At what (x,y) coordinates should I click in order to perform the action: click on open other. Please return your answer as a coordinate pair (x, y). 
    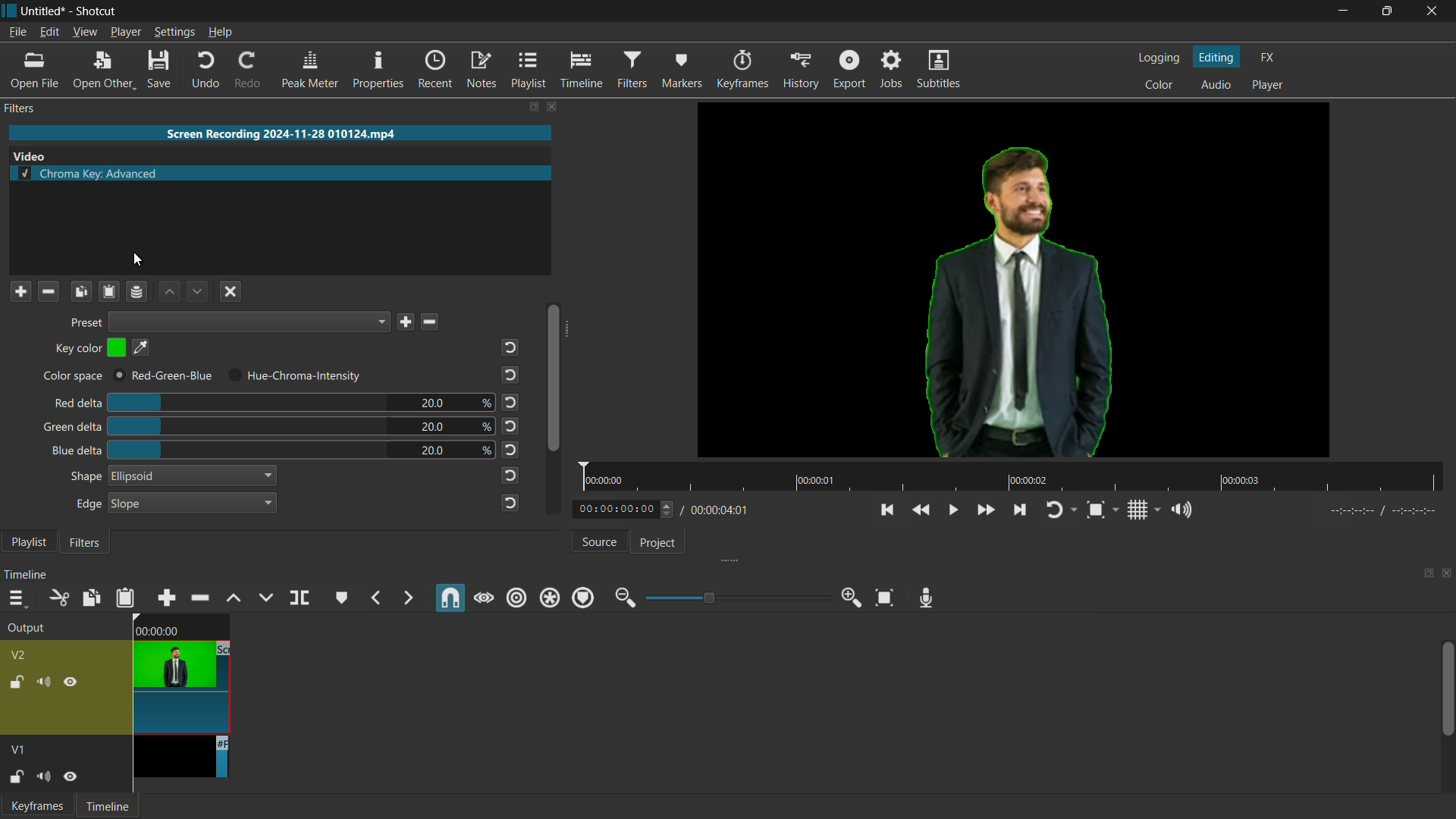
    Looking at the image, I should click on (102, 70).